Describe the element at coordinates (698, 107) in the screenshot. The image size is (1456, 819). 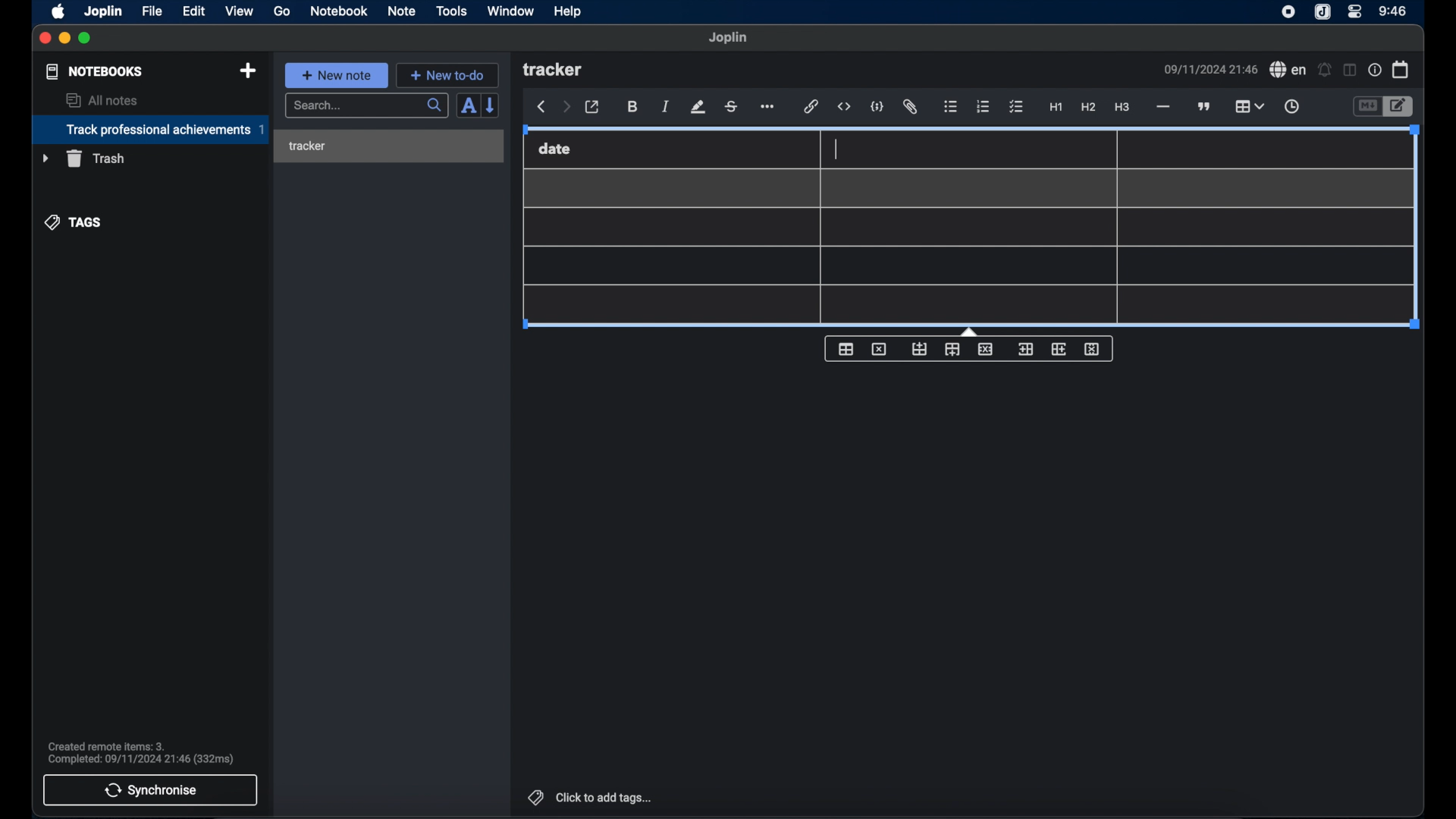
I see `highlight` at that location.